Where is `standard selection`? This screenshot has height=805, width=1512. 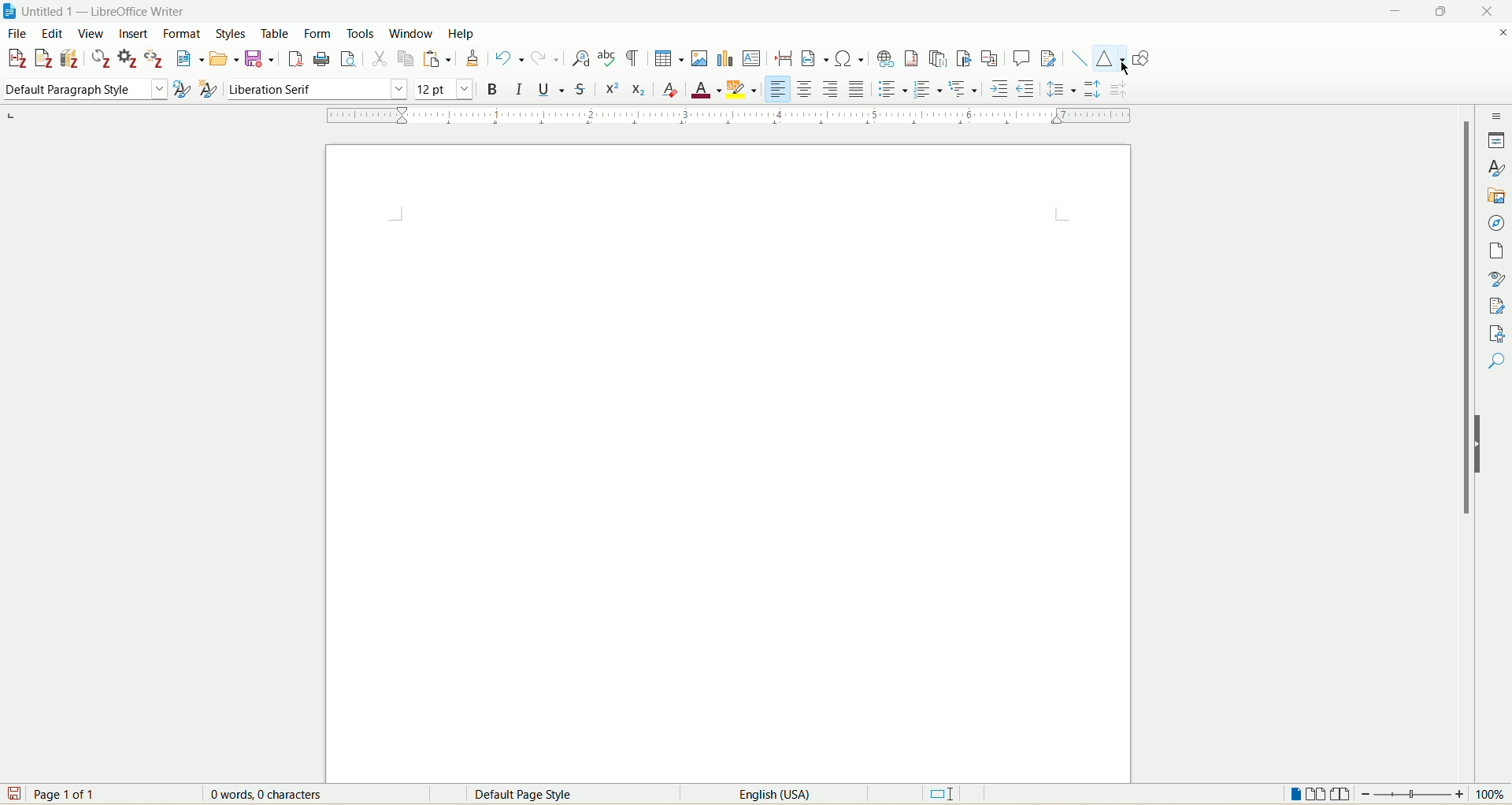
standard selection is located at coordinates (943, 793).